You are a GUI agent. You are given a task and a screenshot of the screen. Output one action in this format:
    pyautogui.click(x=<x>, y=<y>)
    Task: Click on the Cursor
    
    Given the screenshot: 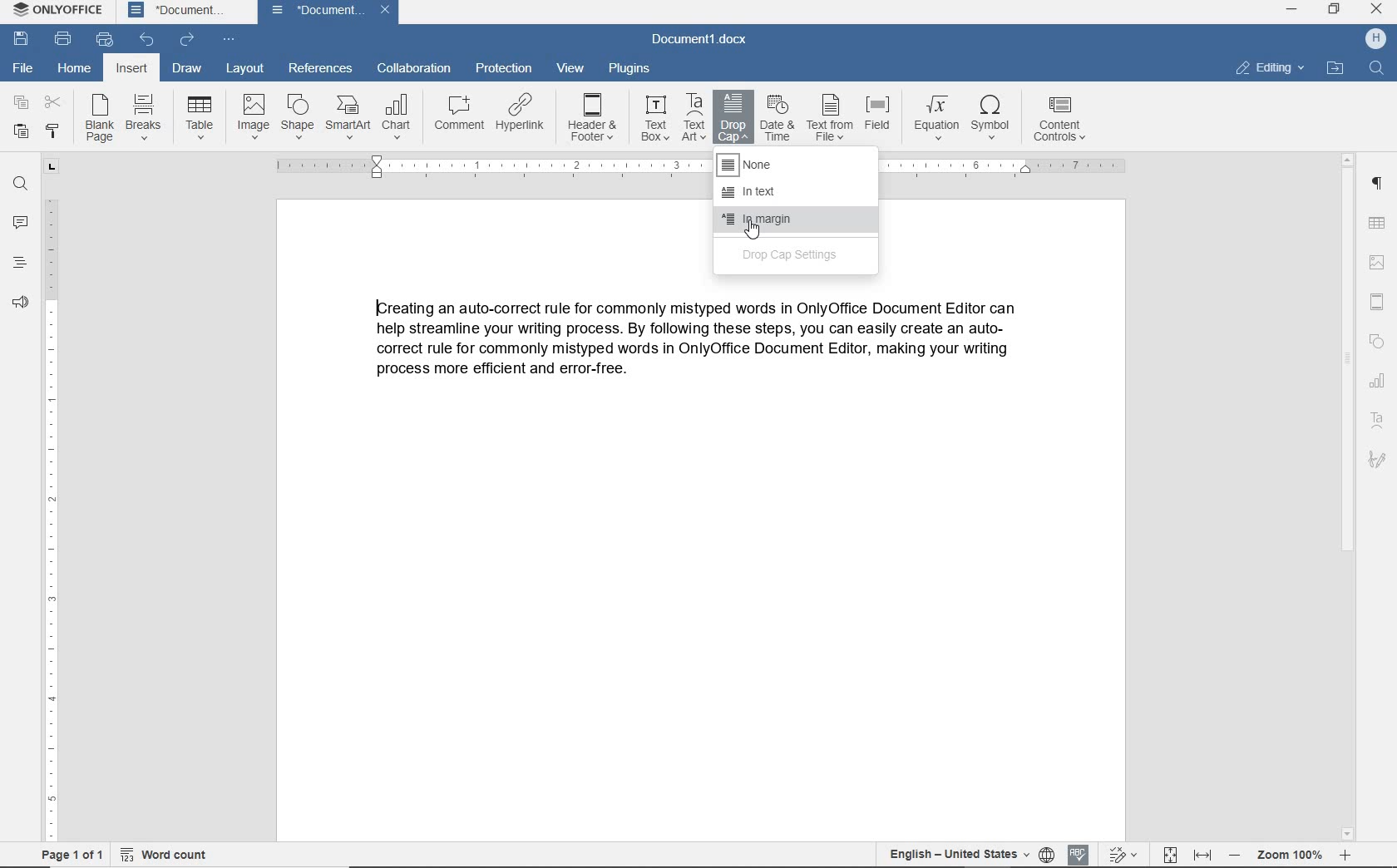 What is the action you would take?
    pyautogui.click(x=757, y=230)
    